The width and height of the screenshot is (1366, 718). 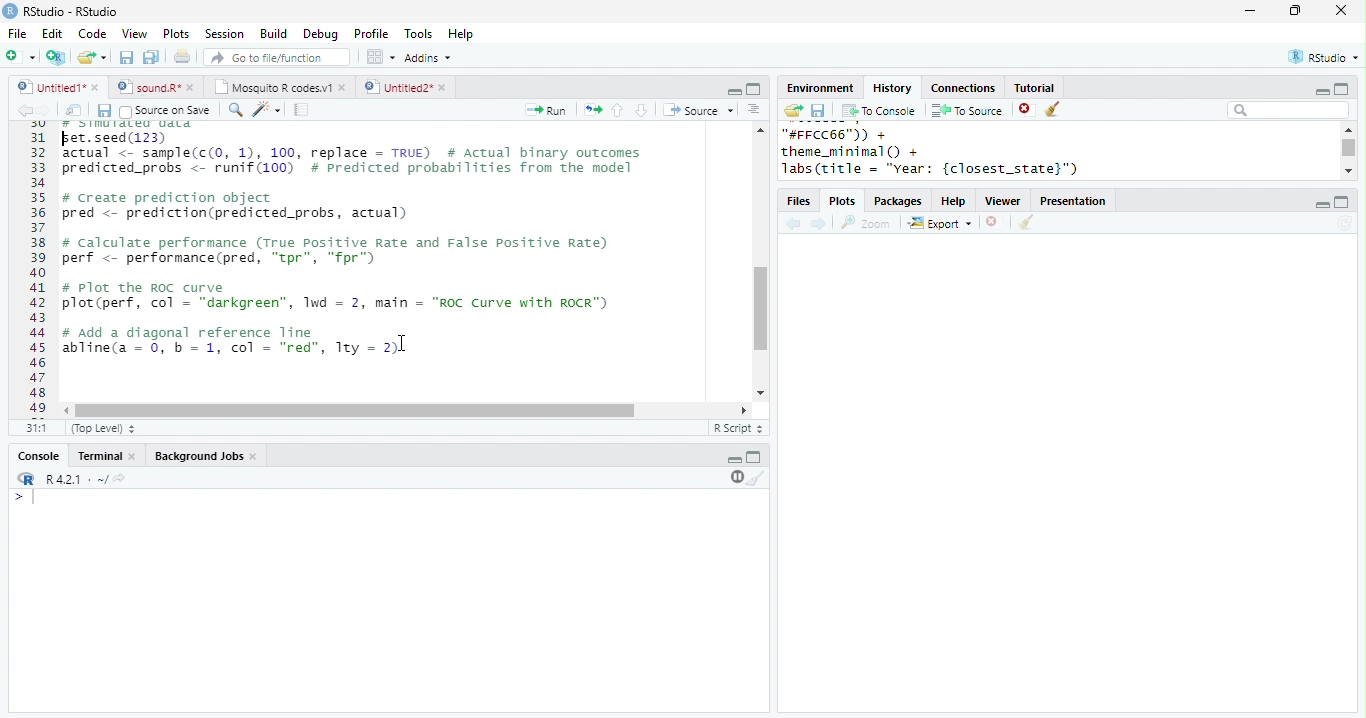 I want to click on clear, so click(x=1054, y=110).